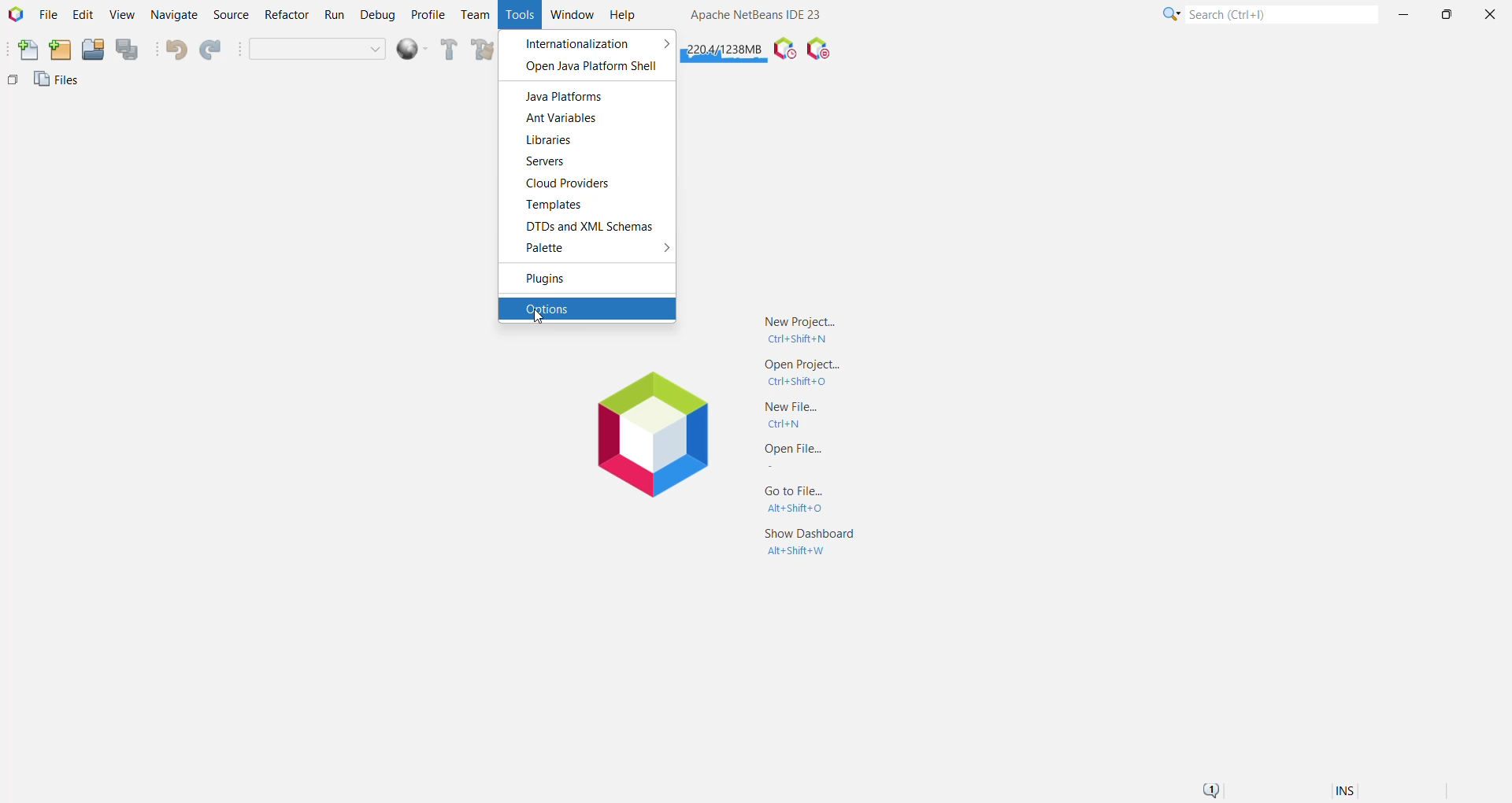 This screenshot has width=1512, height=803. I want to click on cursor, so click(540, 316).